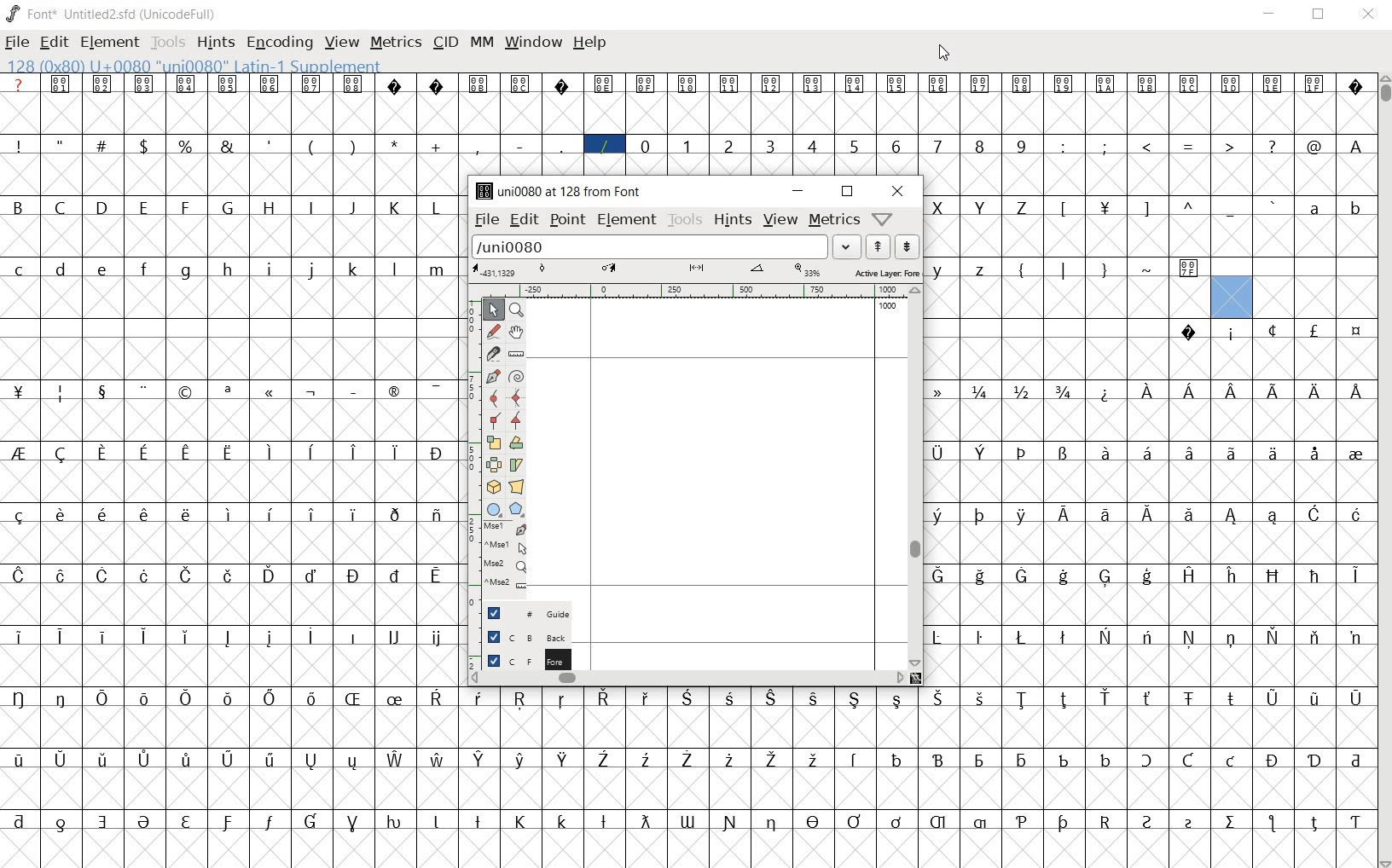 The height and width of the screenshot is (868, 1392). Describe the element at coordinates (555, 191) in the screenshot. I see `glyph name` at that location.